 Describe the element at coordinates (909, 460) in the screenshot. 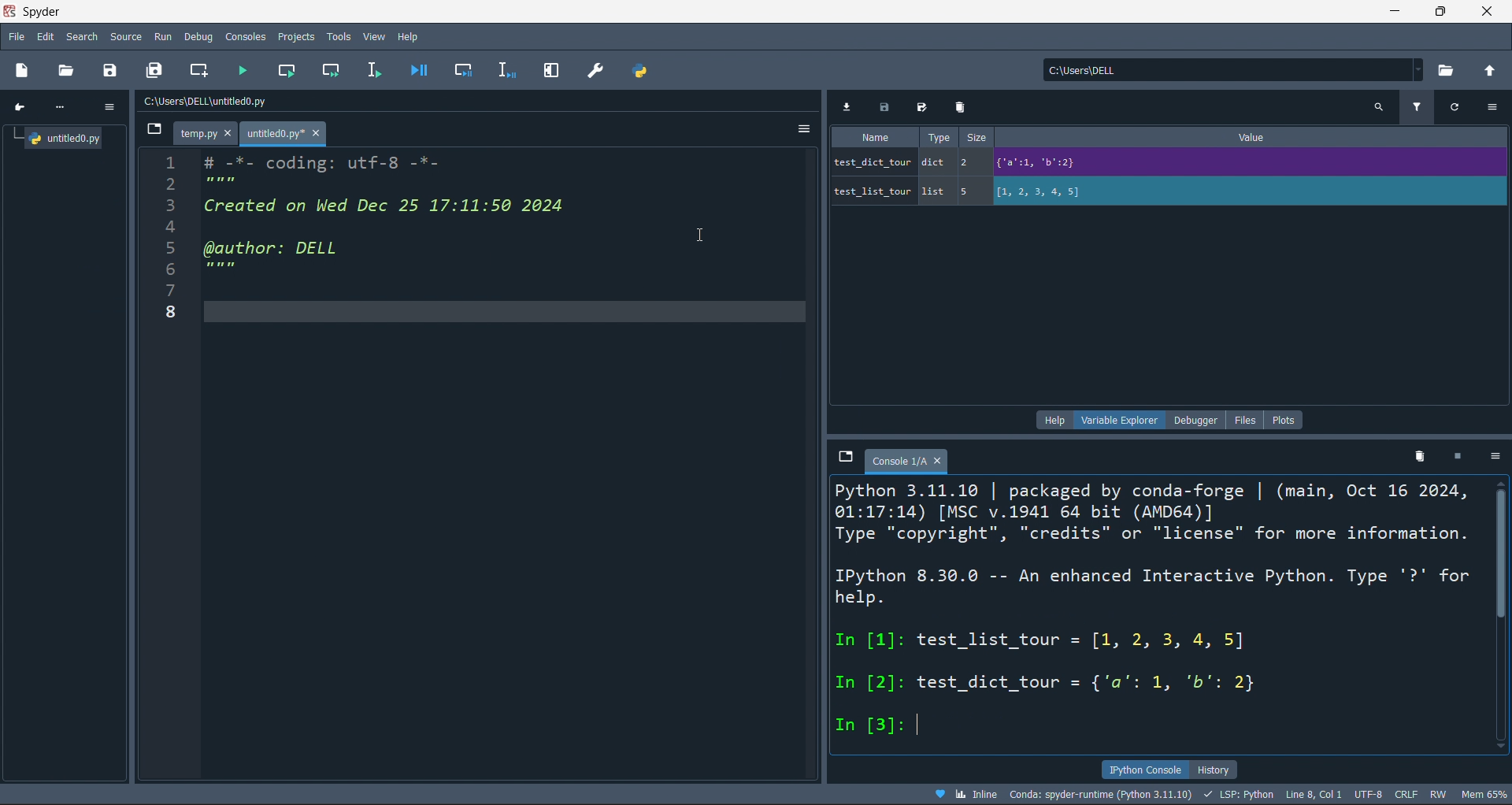

I see `console 1/a tab` at that location.